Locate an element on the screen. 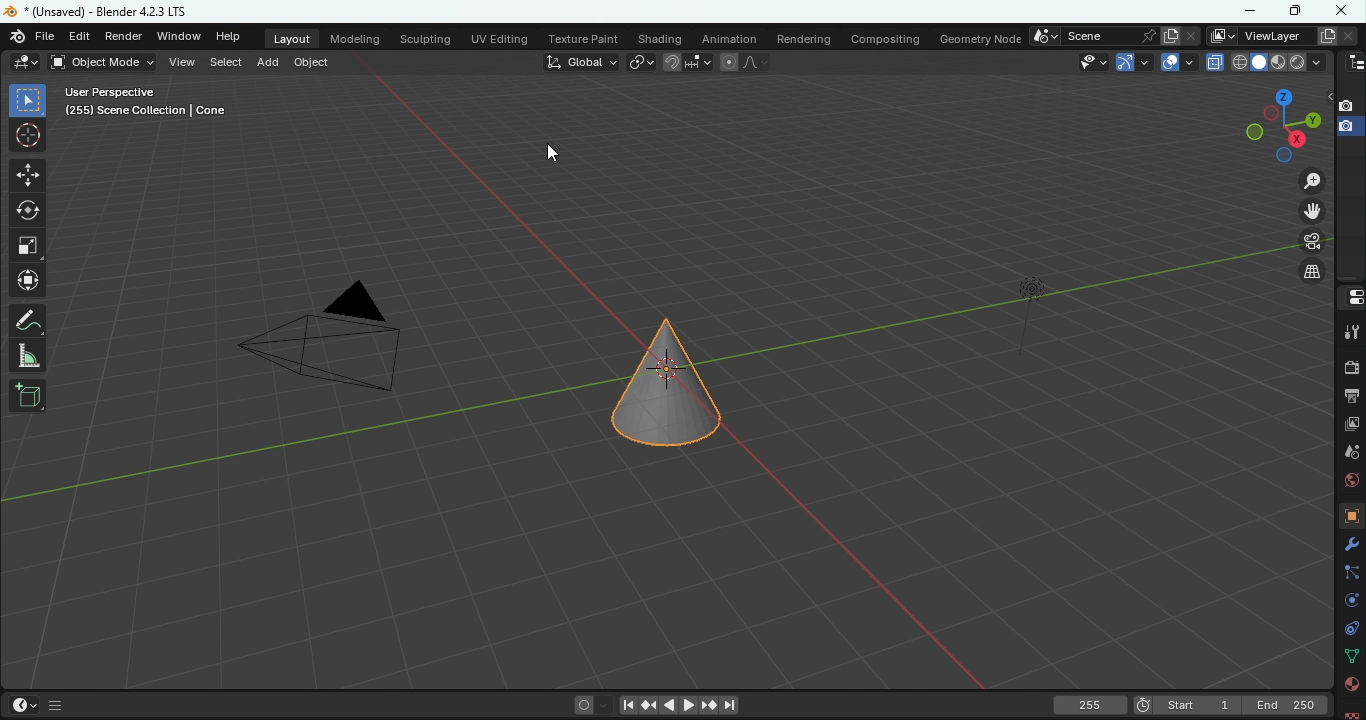 The height and width of the screenshot is (720, 1366). Show overlays is located at coordinates (1168, 61).